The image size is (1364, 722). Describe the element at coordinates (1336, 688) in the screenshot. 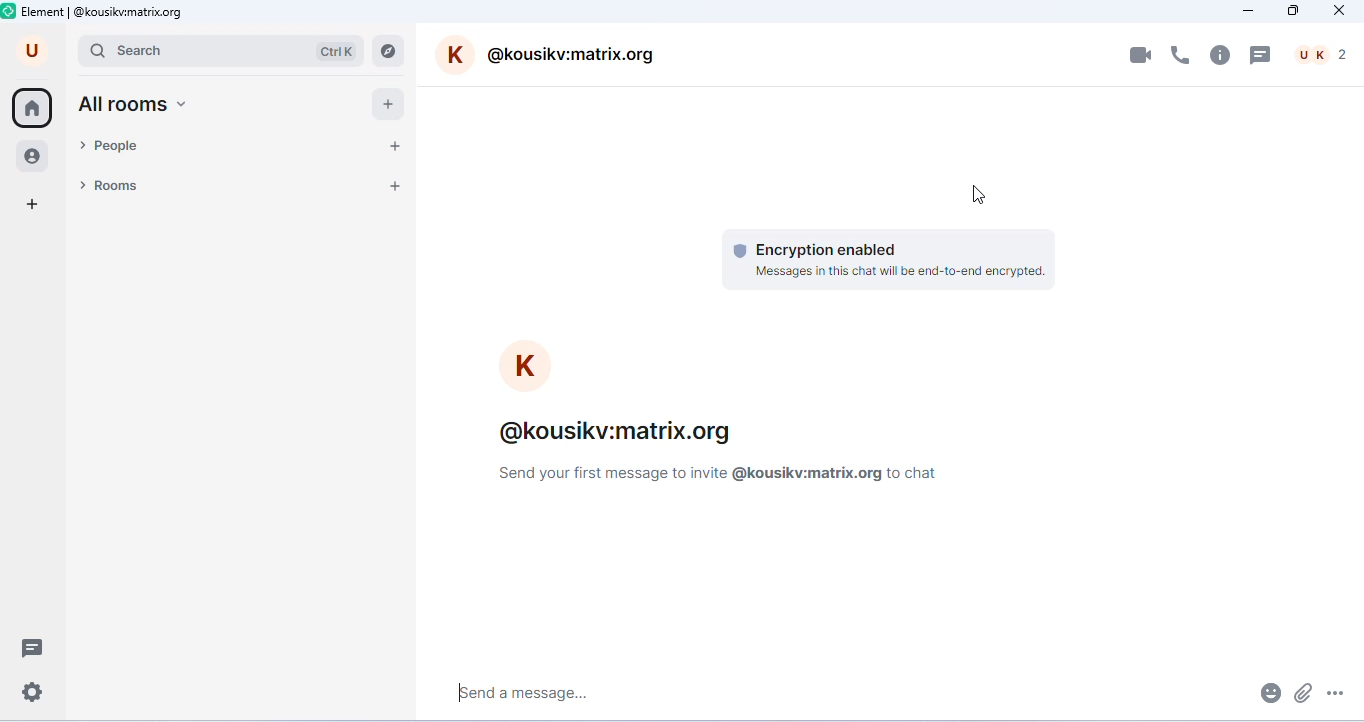

I see `more options` at that location.